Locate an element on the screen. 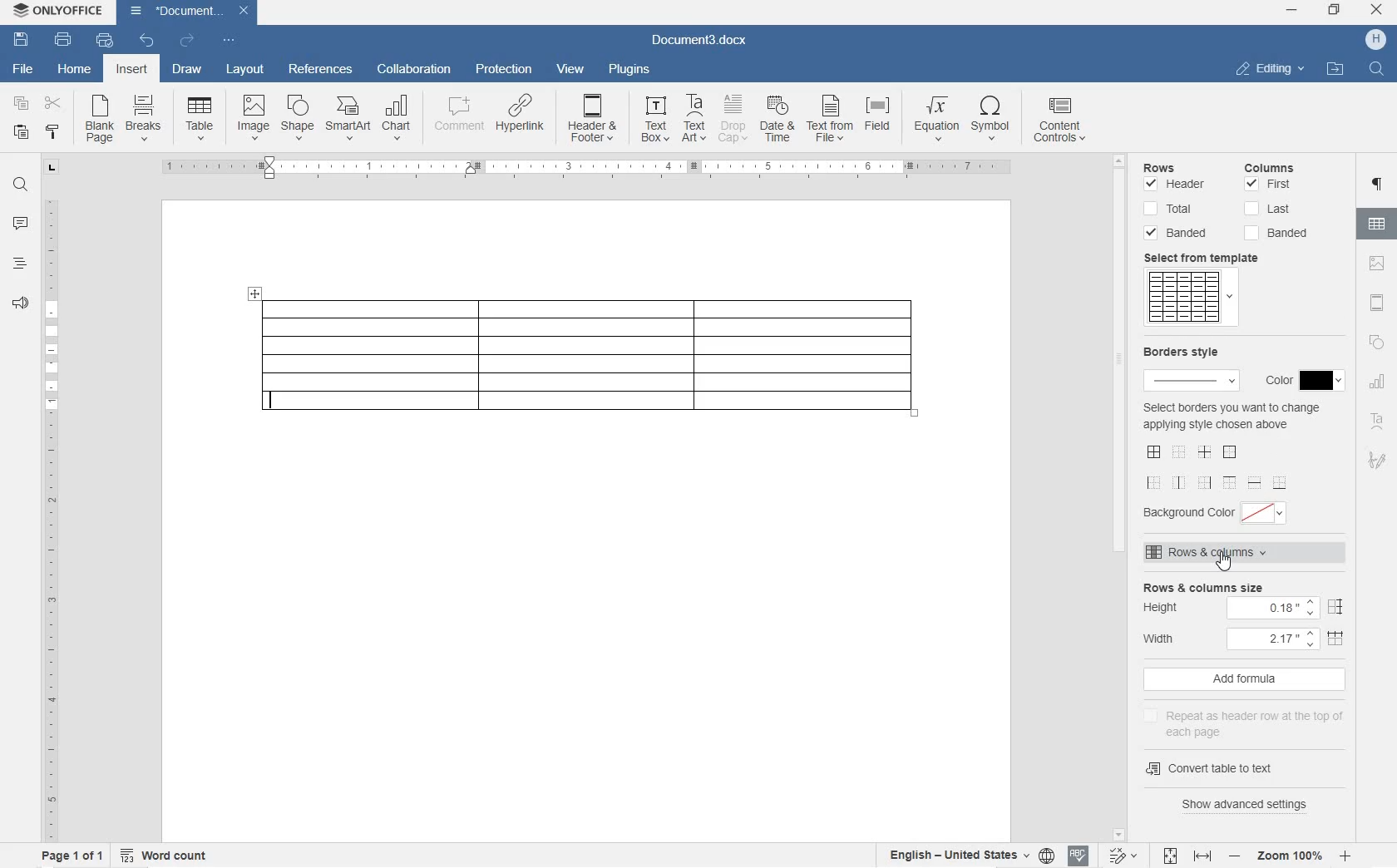  background color is located at coordinates (1218, 513).